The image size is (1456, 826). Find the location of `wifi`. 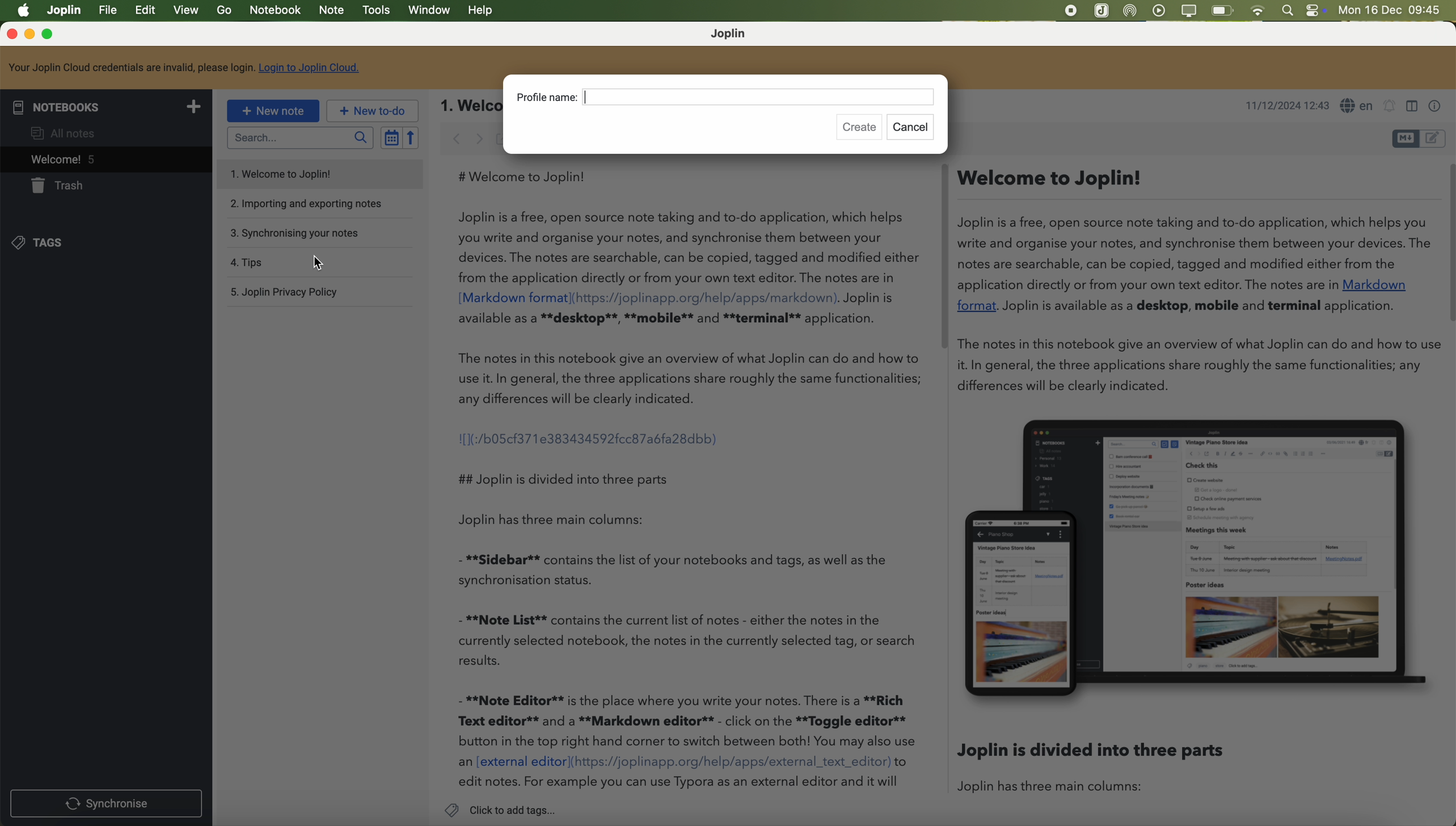

wifi is located at coordinates (1260, 11).